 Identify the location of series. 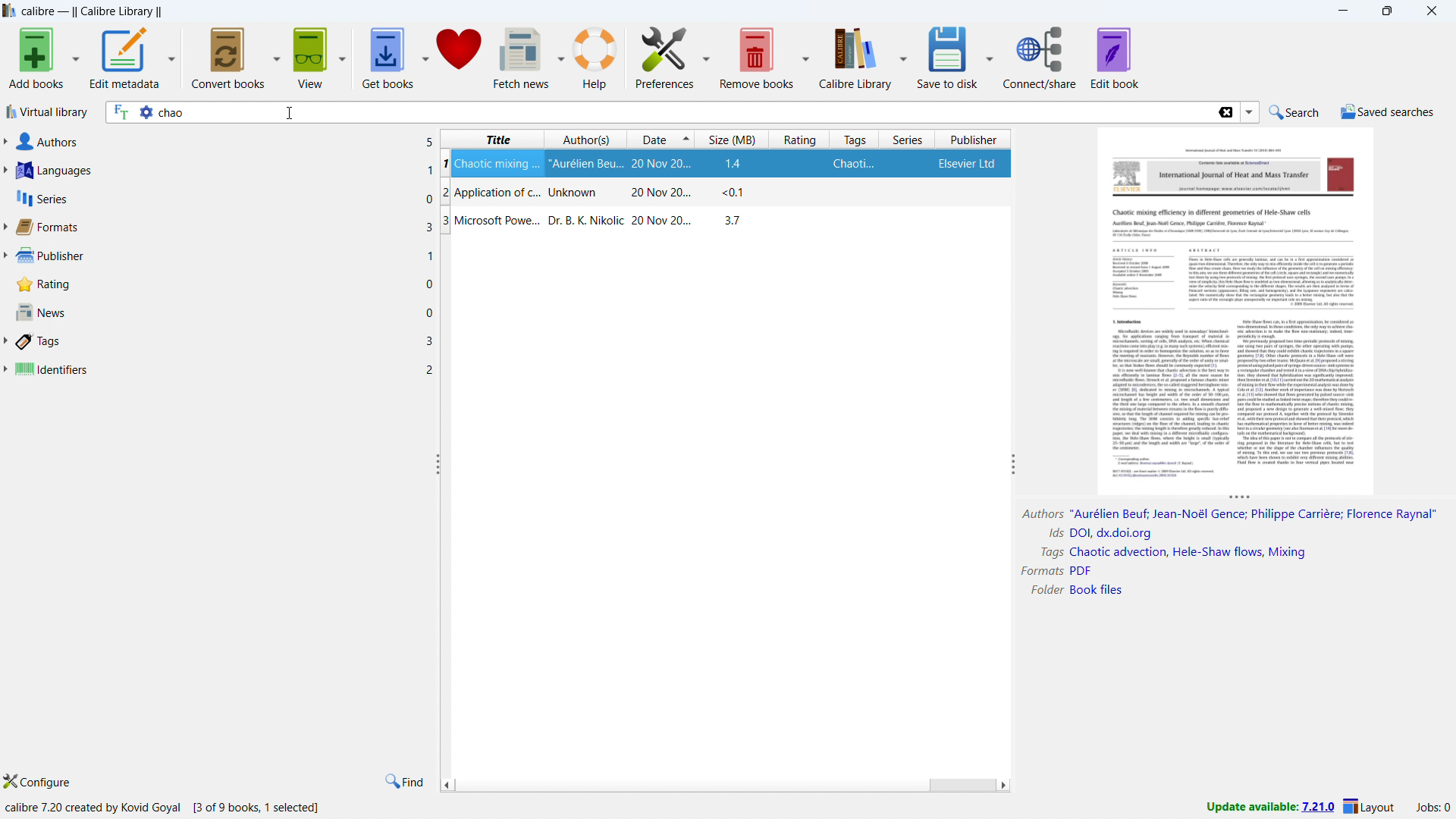
(225, 197).